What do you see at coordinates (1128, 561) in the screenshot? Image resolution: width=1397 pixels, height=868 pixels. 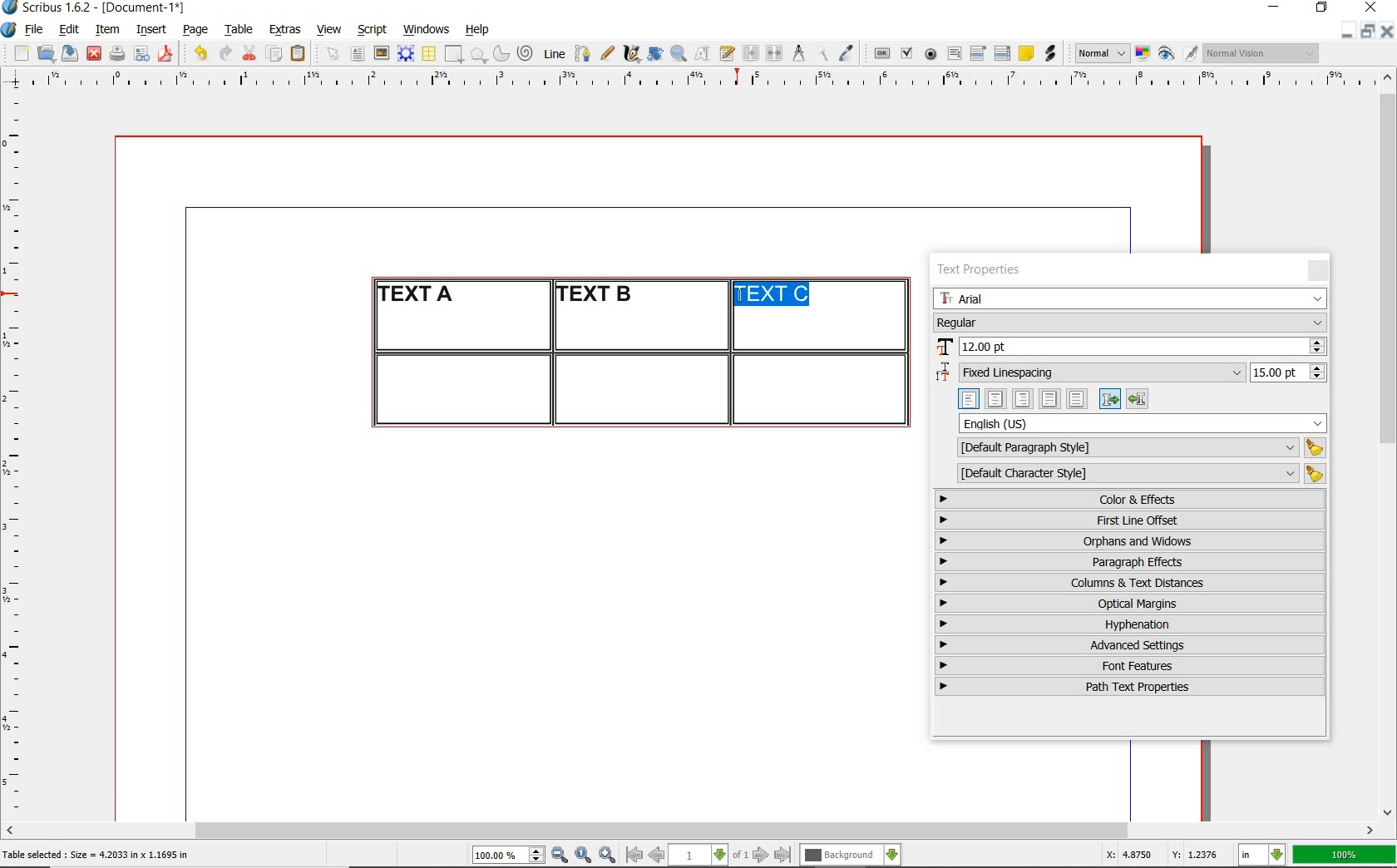 I see `paragraph effects` at bounding box center [1128, 561].